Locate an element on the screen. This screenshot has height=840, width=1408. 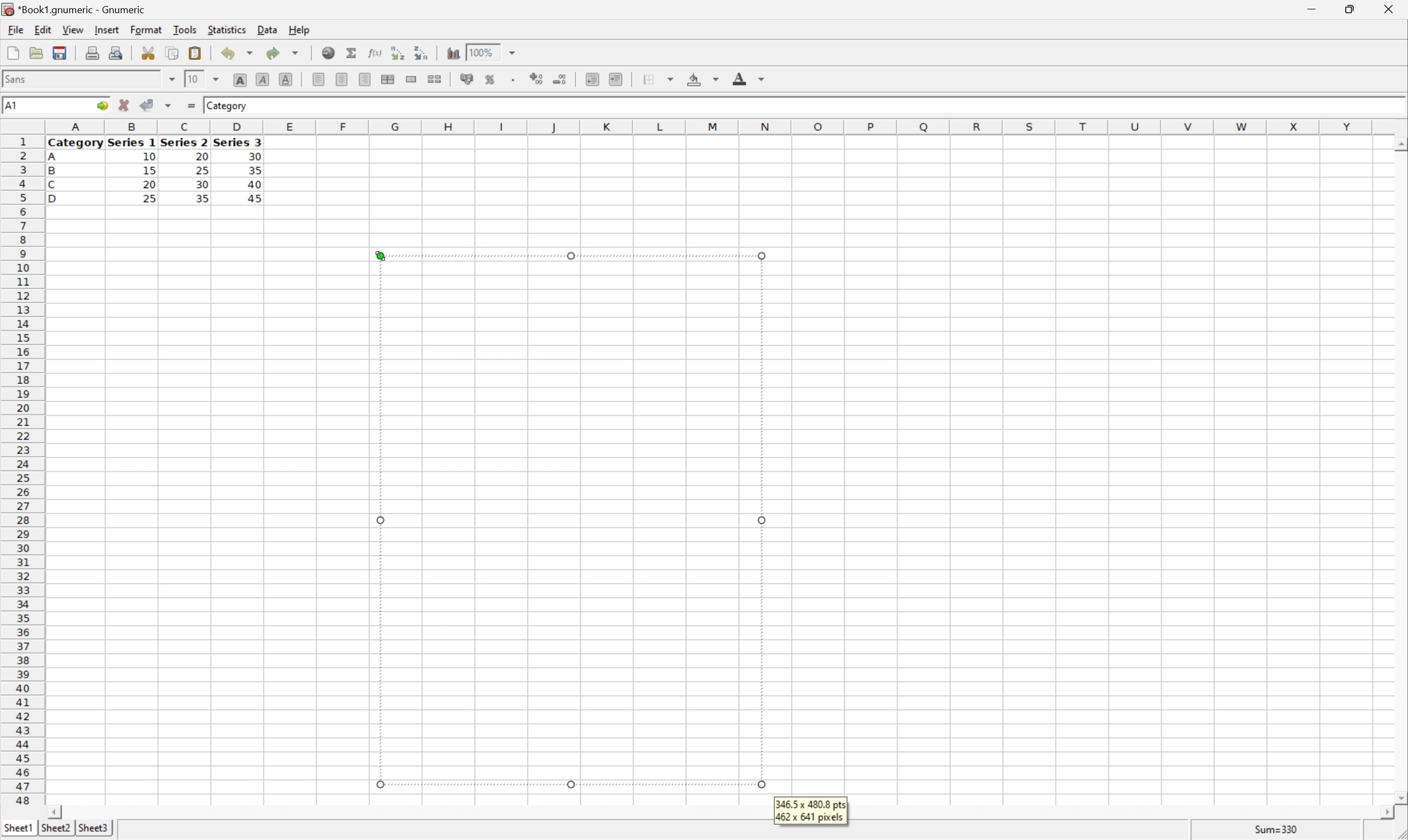
Open a file is located at coordinates (35, 53).